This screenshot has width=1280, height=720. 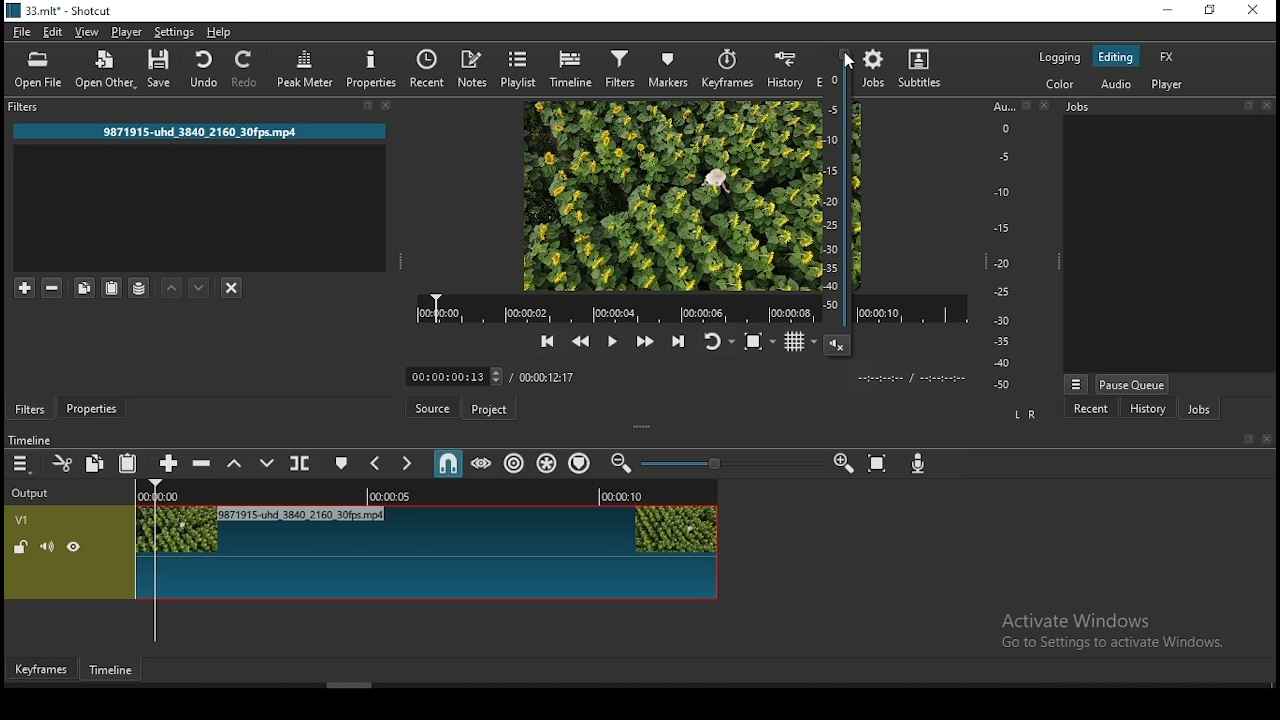 What do you see at coordinates (107, 70) in the screenshot?
I see `open other` at bounding box center [107, 70].